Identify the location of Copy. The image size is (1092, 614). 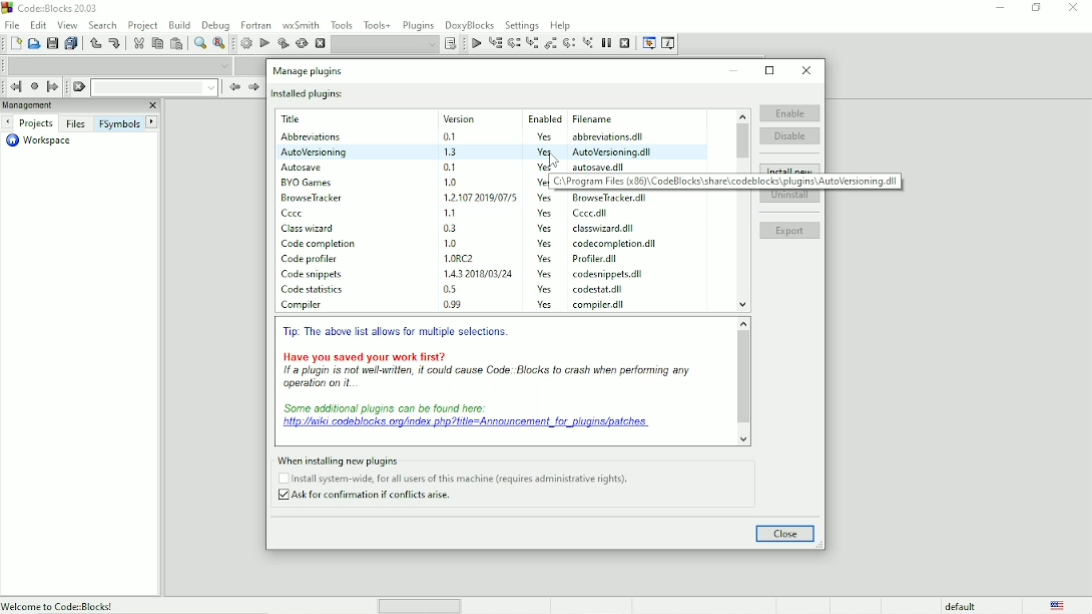
(157, 43).